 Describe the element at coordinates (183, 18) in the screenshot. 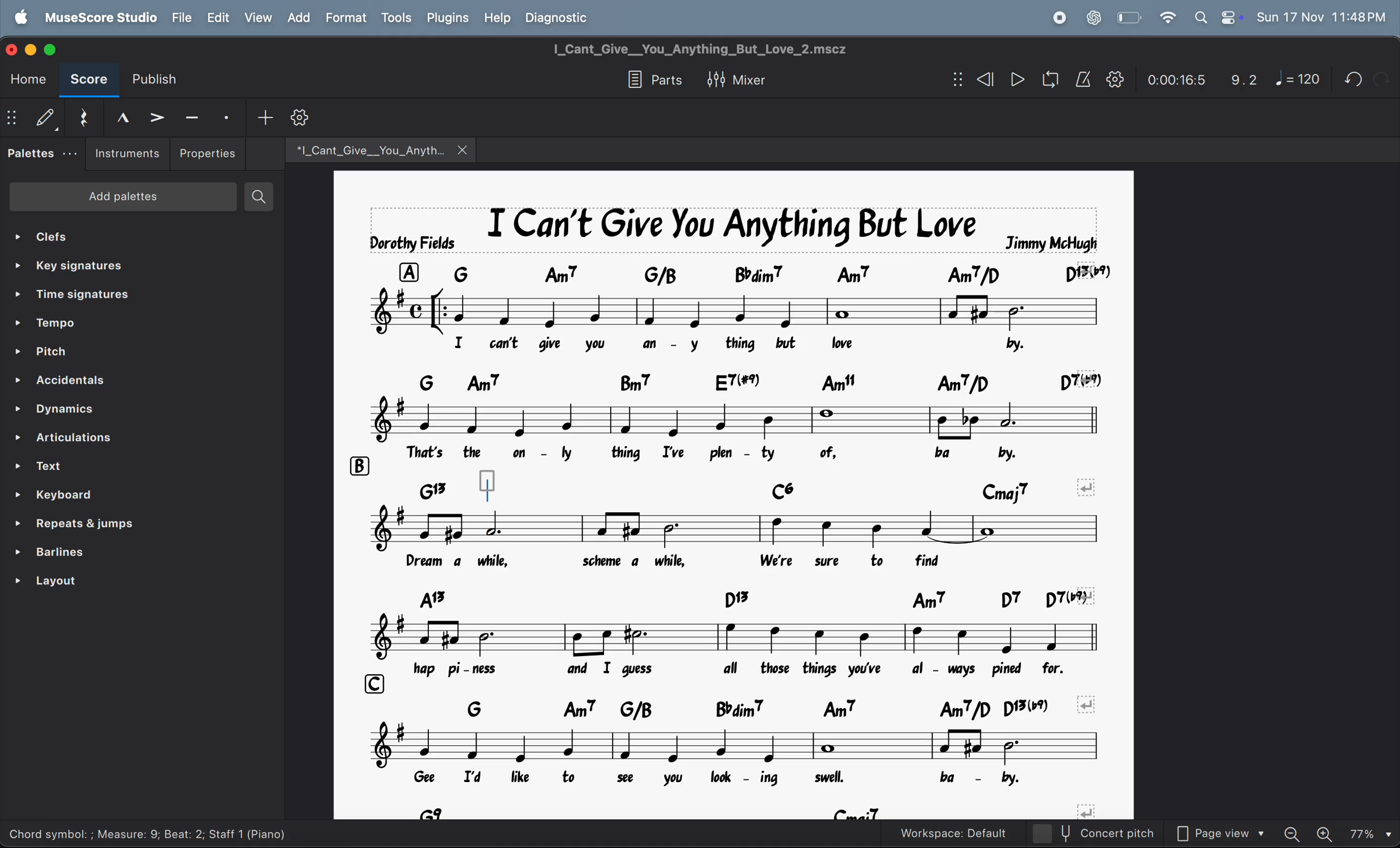

I see `file` at that location.